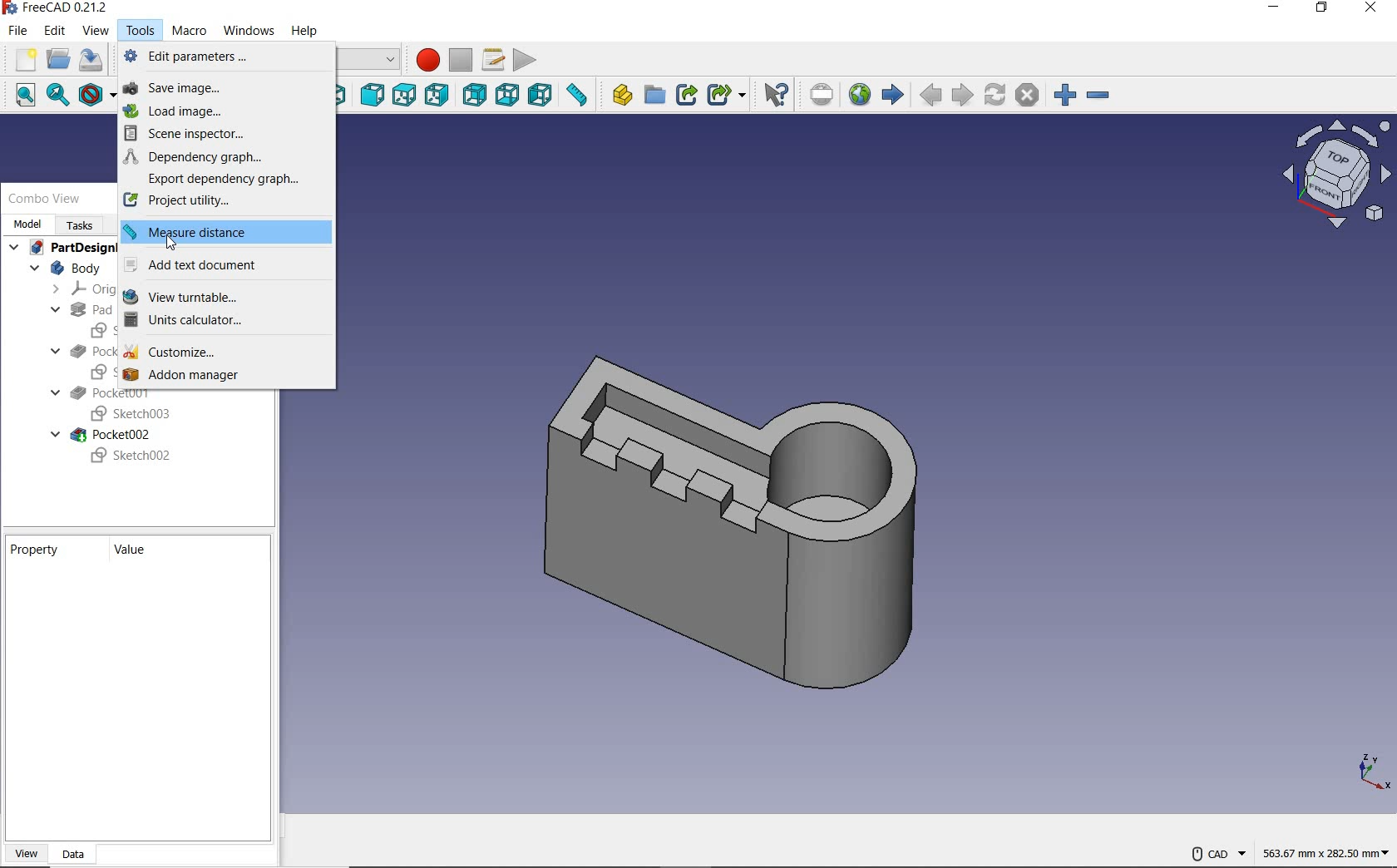  I want to click on MEASURE DISTANCE, so click(225, 232).